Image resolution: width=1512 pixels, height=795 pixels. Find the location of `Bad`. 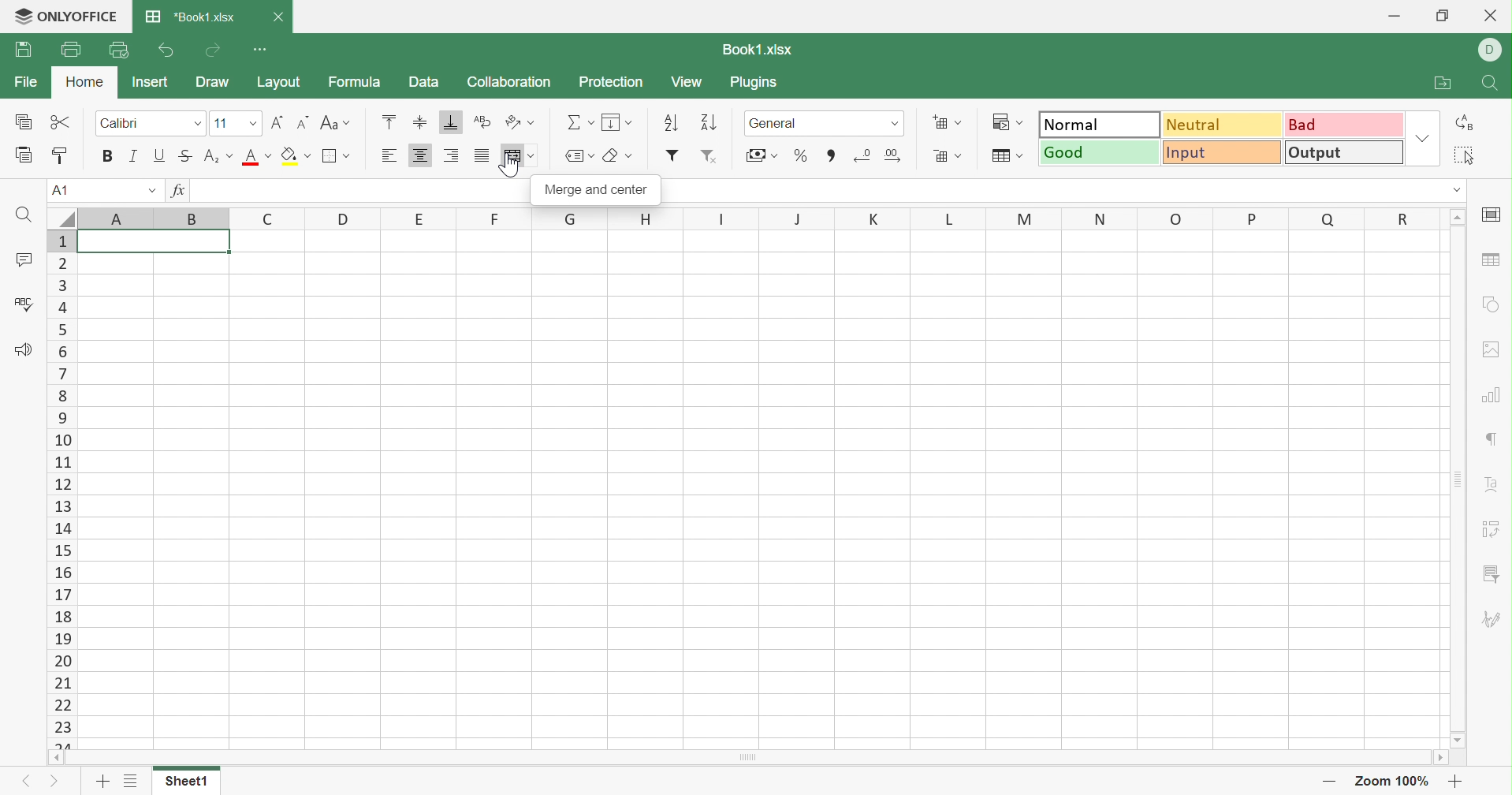

Bad is located at coordinates (1344, 123).